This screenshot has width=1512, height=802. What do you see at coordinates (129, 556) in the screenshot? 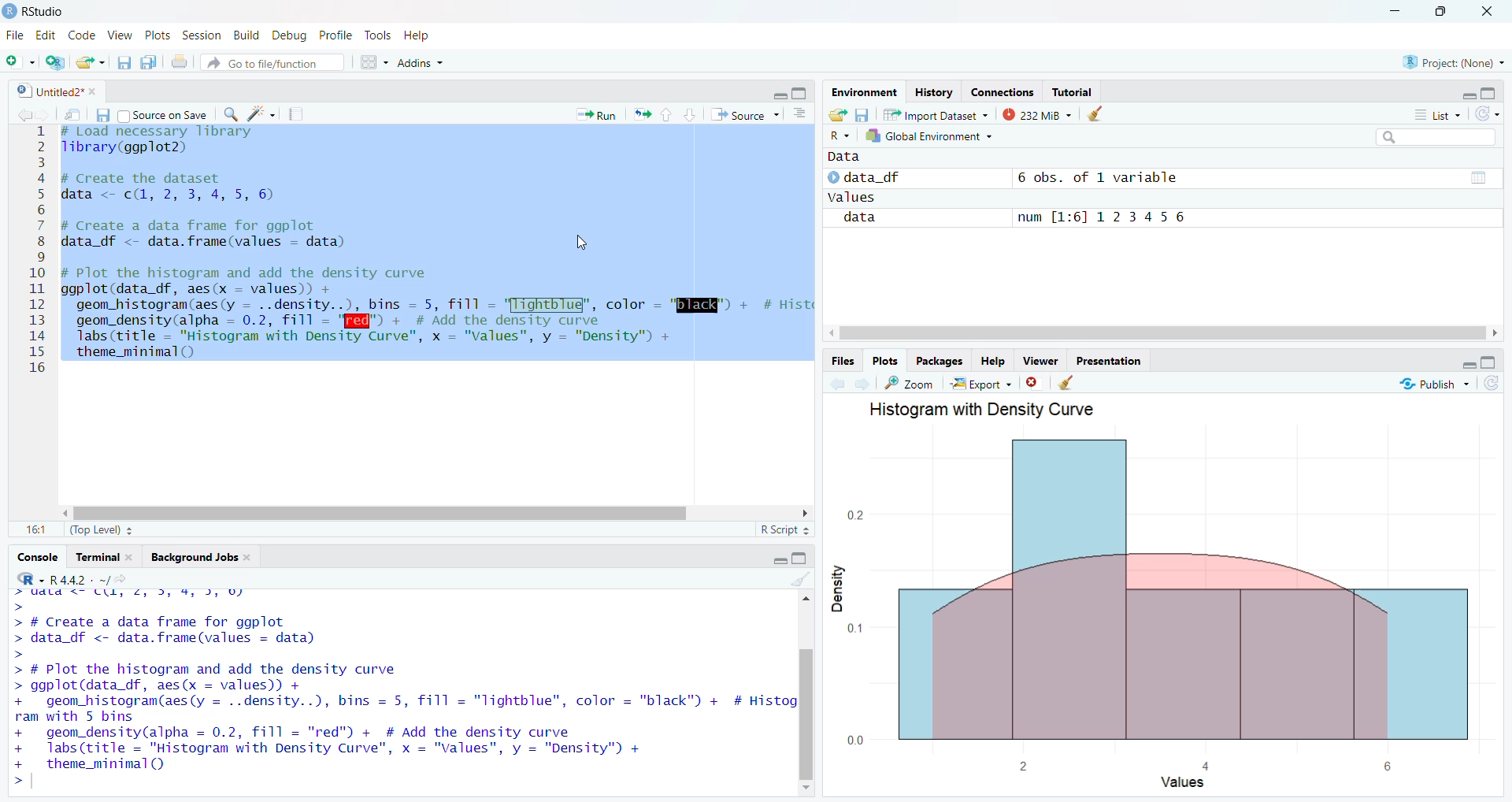
I see `close` at bounding box center [129, 556].